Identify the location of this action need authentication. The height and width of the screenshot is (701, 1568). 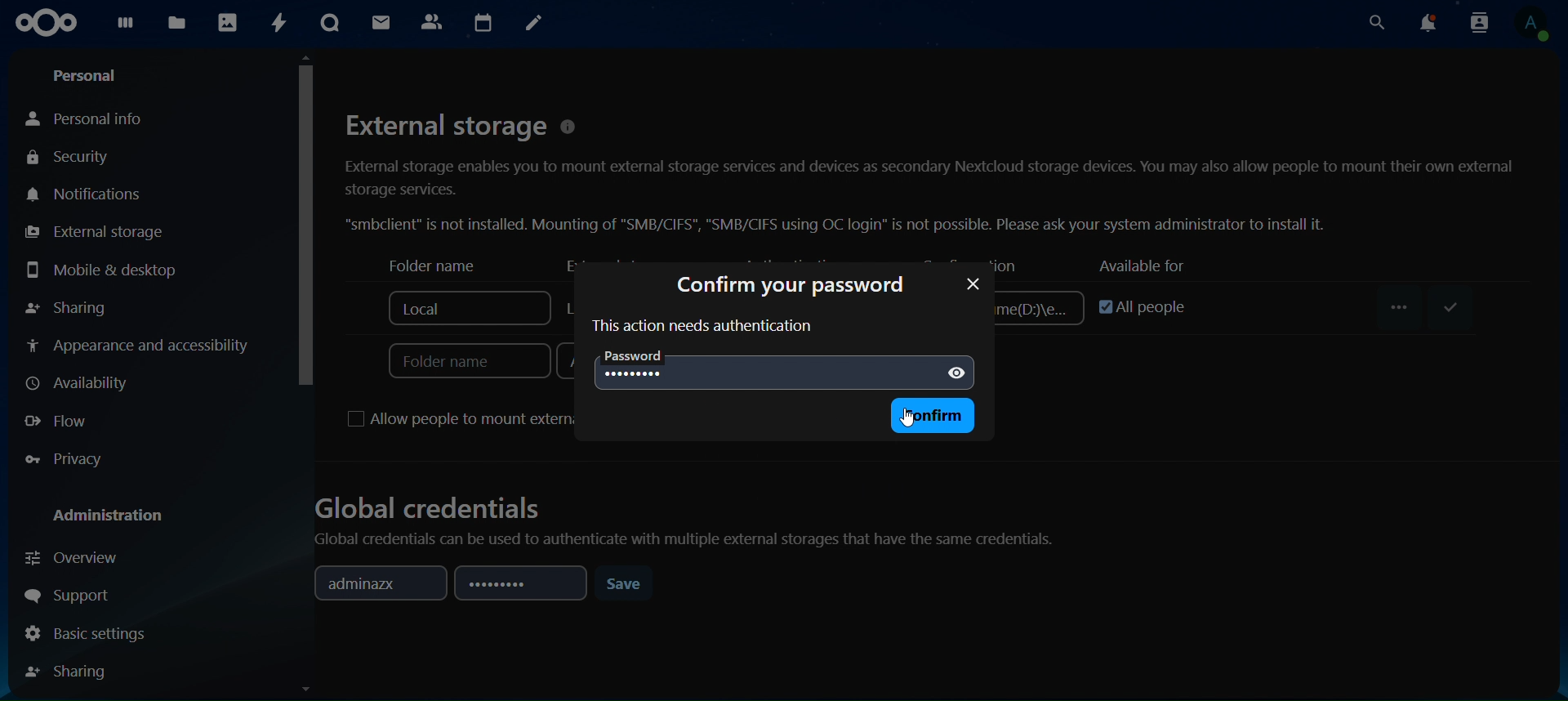
(702, 327).